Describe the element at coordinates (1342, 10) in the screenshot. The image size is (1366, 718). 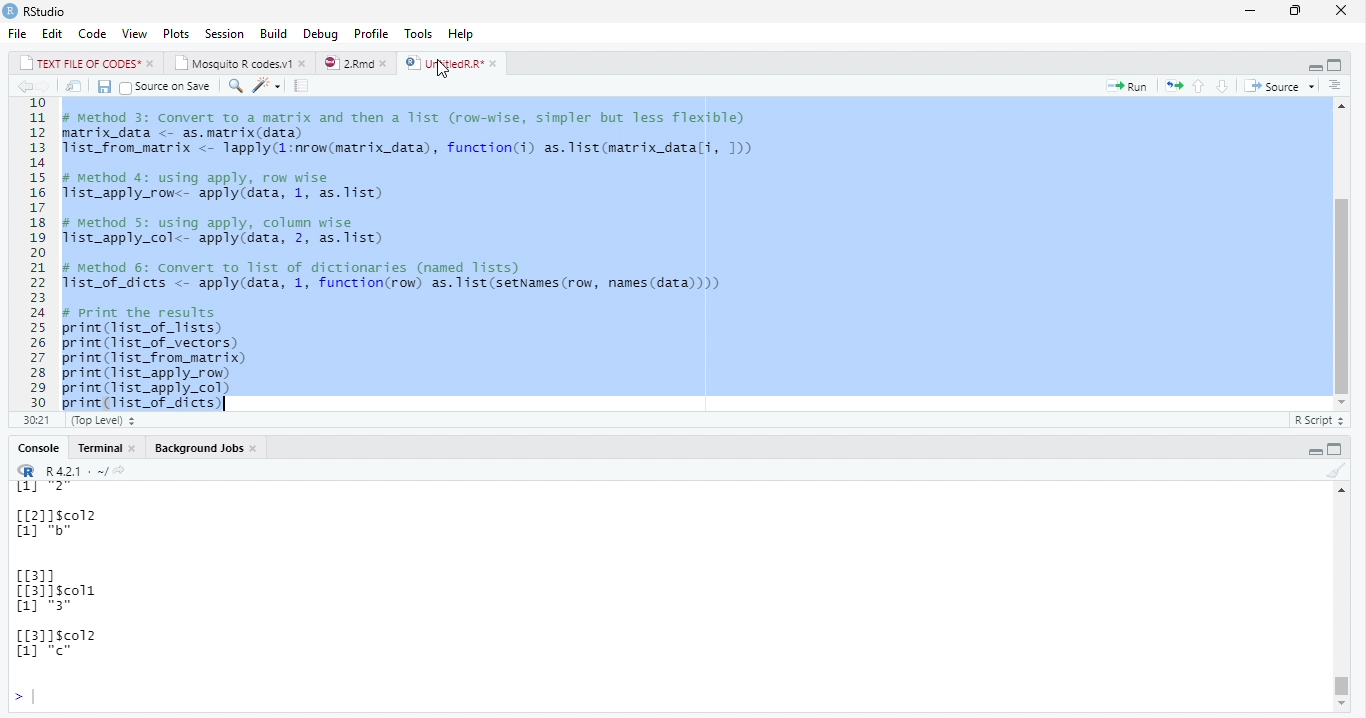
I see `Close` at that location.